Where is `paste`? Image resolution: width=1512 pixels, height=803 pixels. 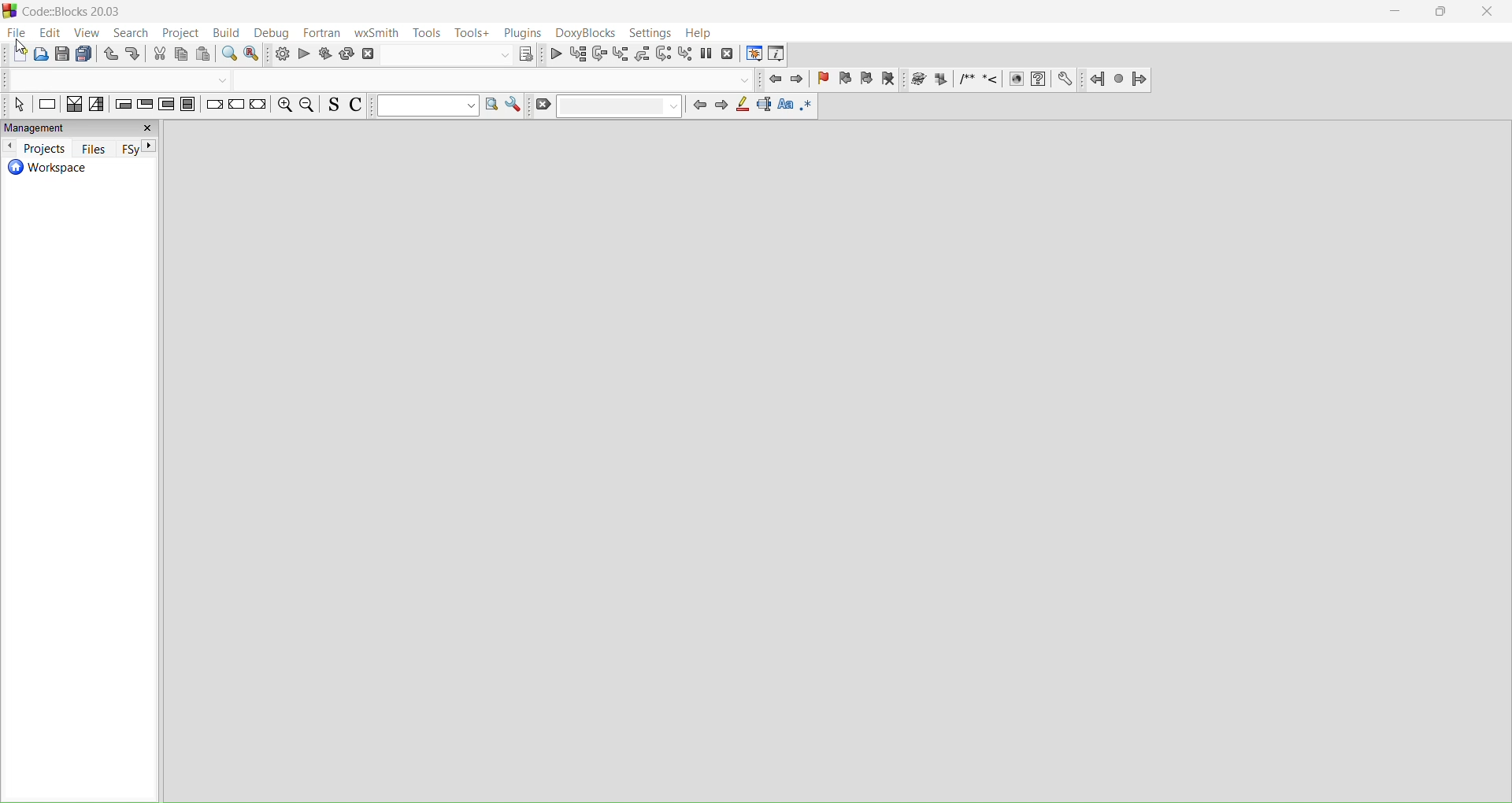
paste is located at coordinates (206, 55).